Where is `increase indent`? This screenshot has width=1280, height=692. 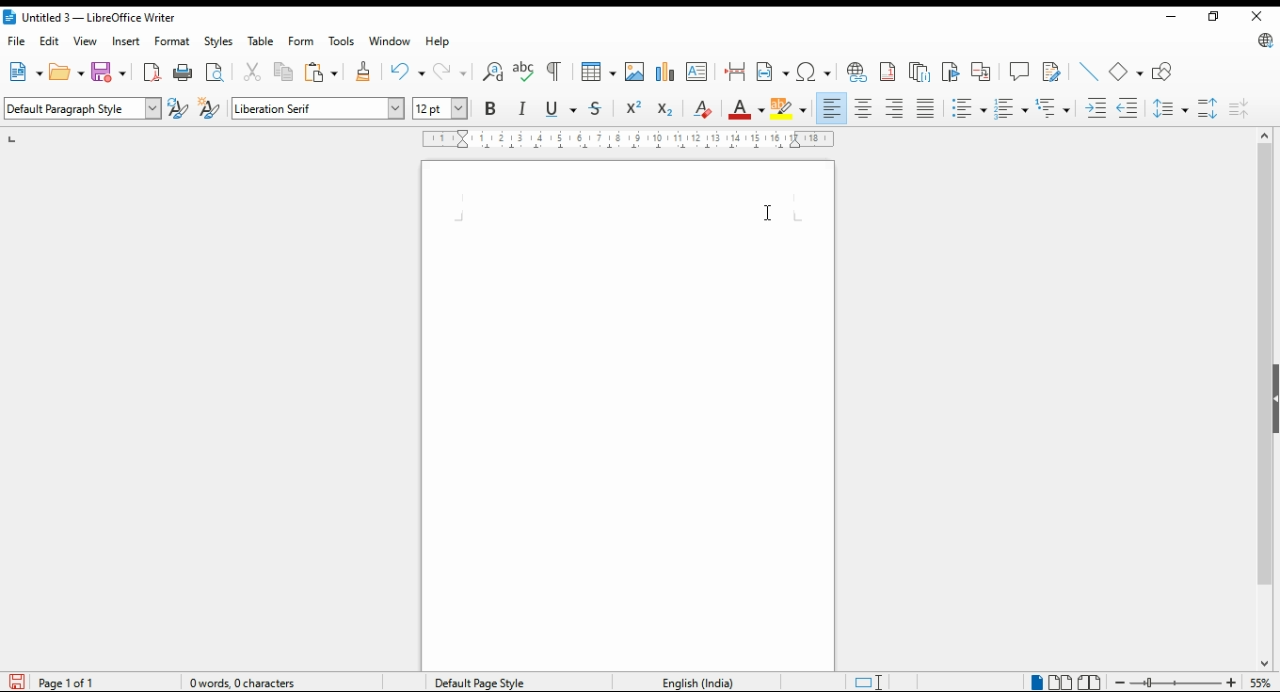 increase indent is located at coordinates (1097, 108).